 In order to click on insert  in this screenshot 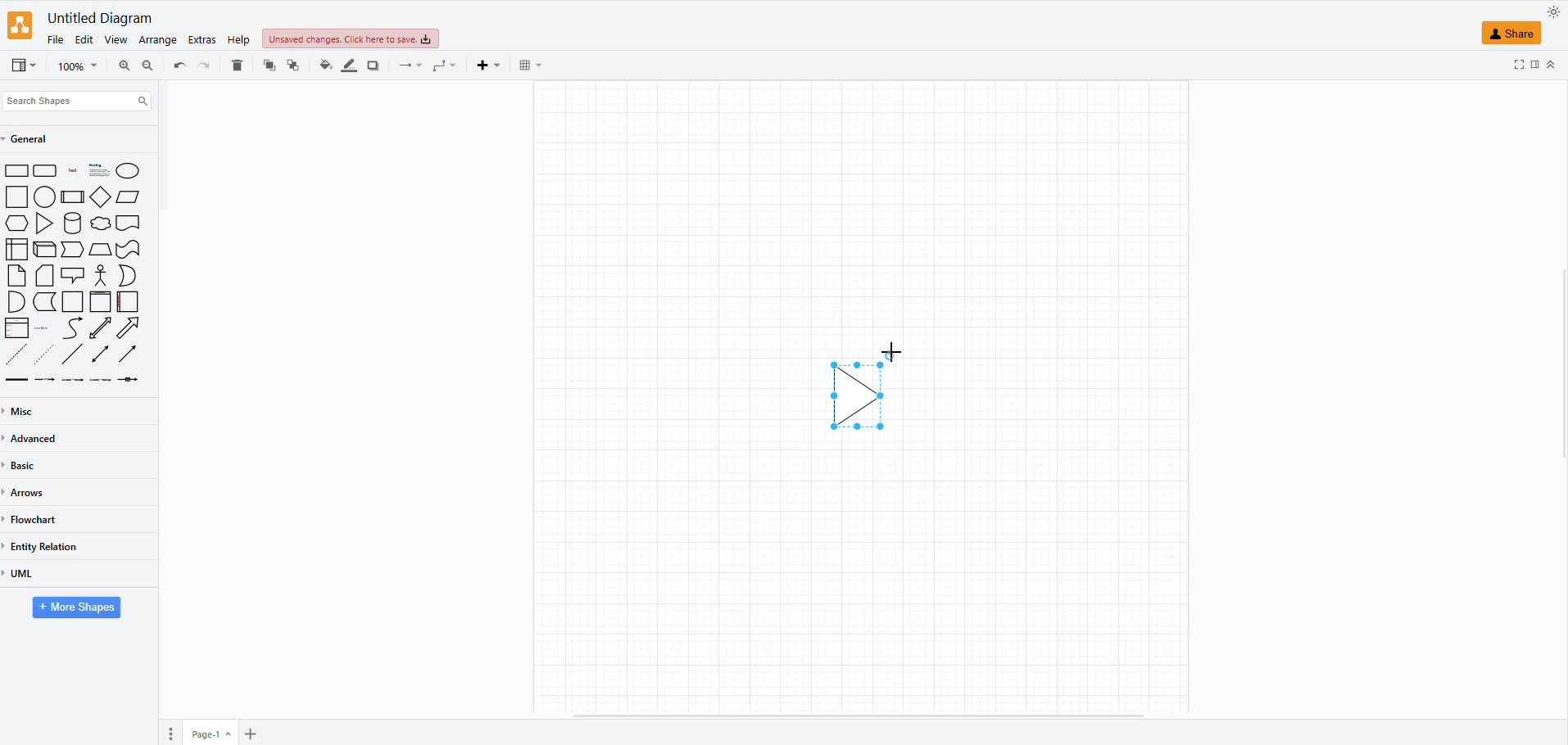, I will do `click(487, 66)`.